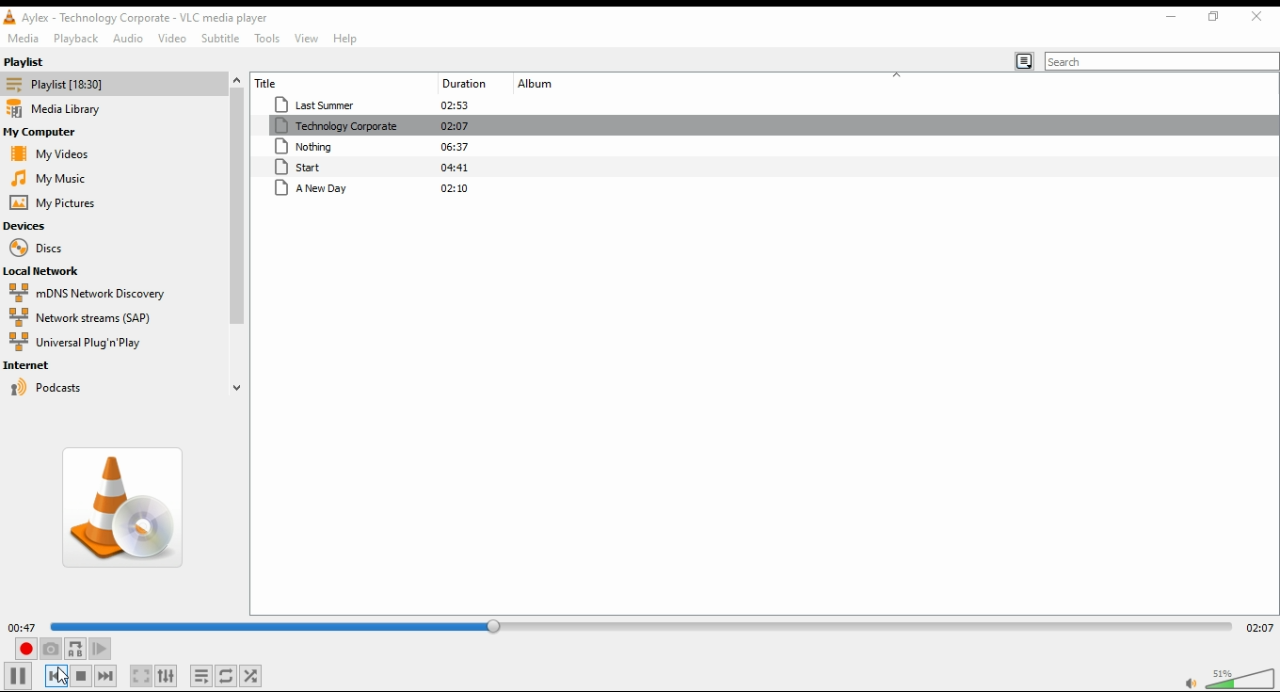 Image resolution: width=1280 pixels, height=692 pixels. I want to click on album, so click(572, 84).